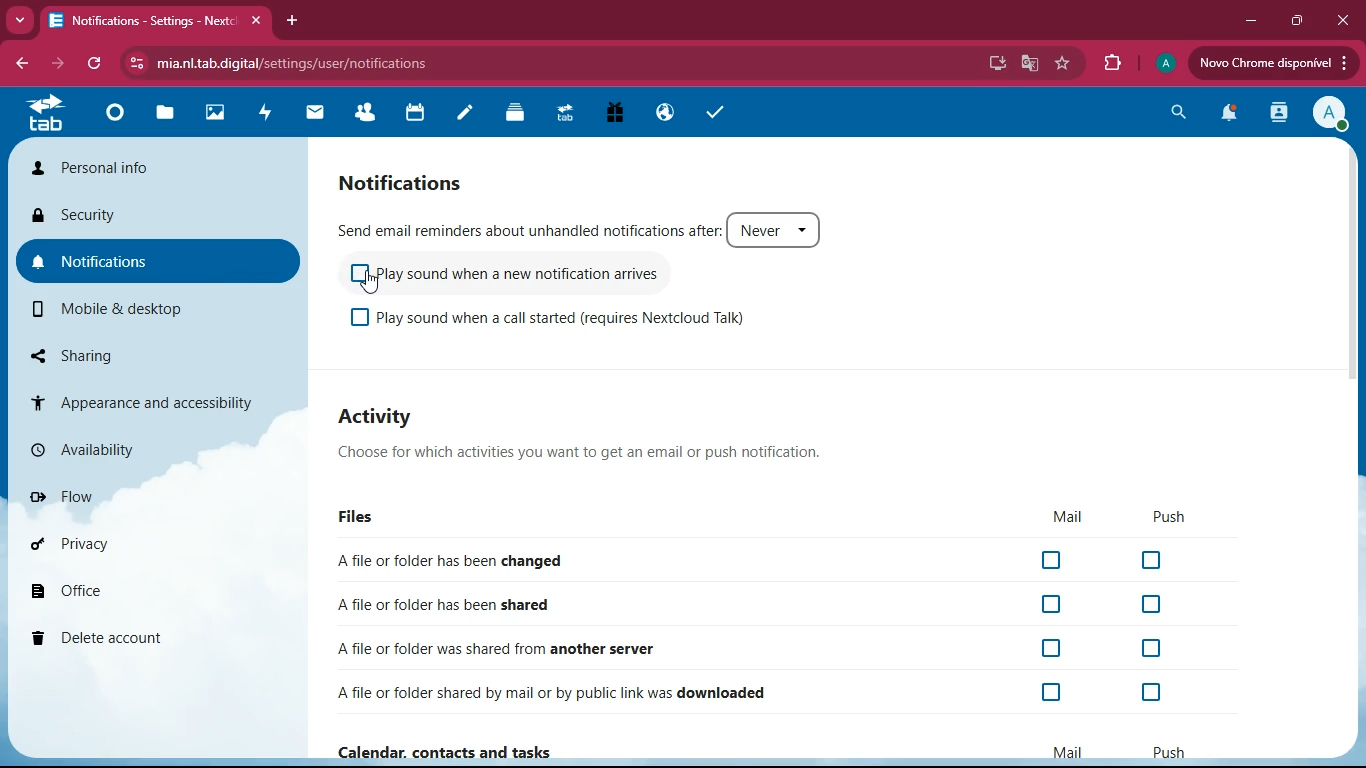 The height and width of the screenshot is (768, 1366). Describe the element at coordinates (119, 120) in the screenshot. I see `home` at that location.